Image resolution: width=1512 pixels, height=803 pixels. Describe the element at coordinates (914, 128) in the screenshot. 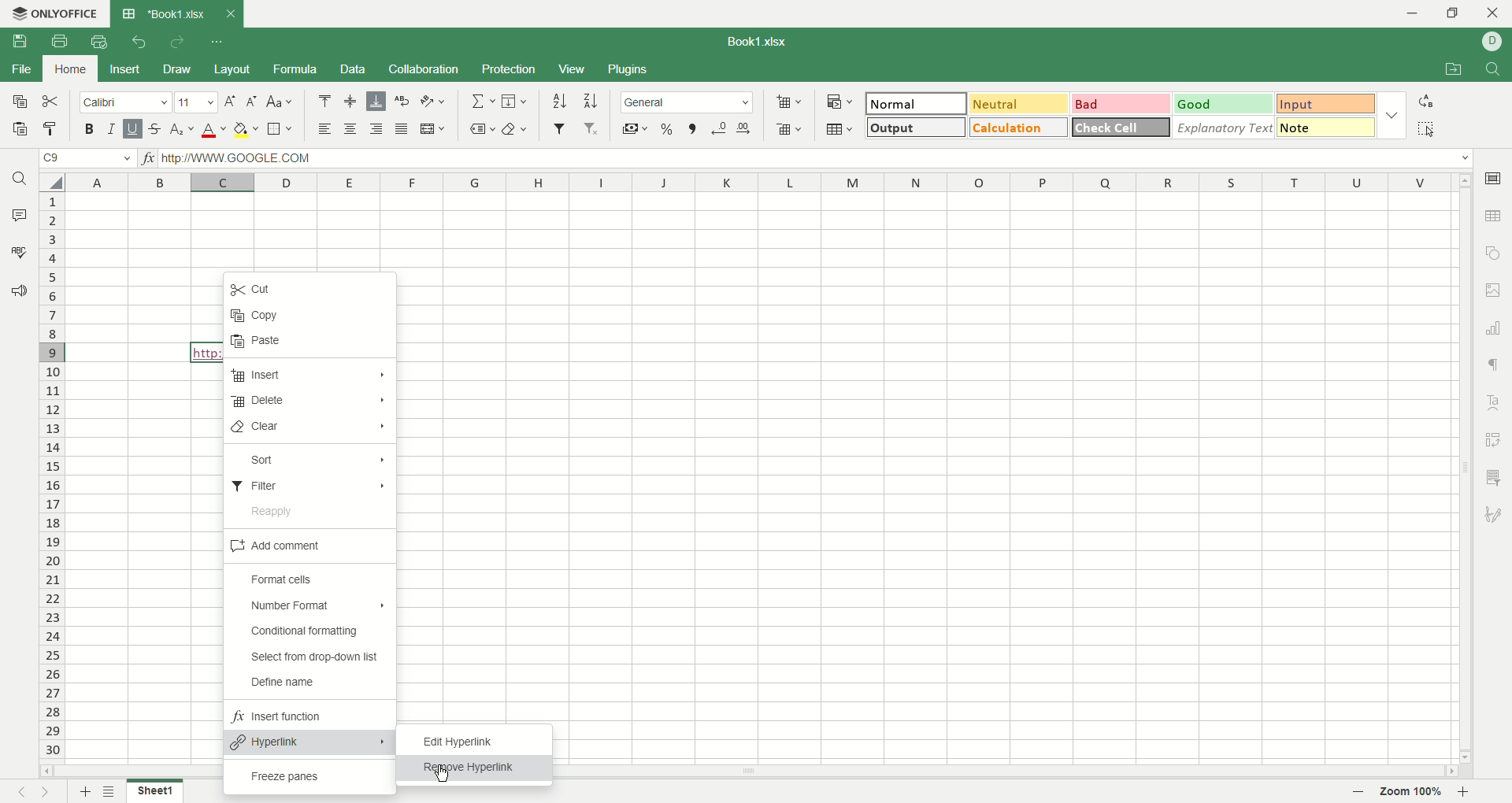

I see `output` at that location.